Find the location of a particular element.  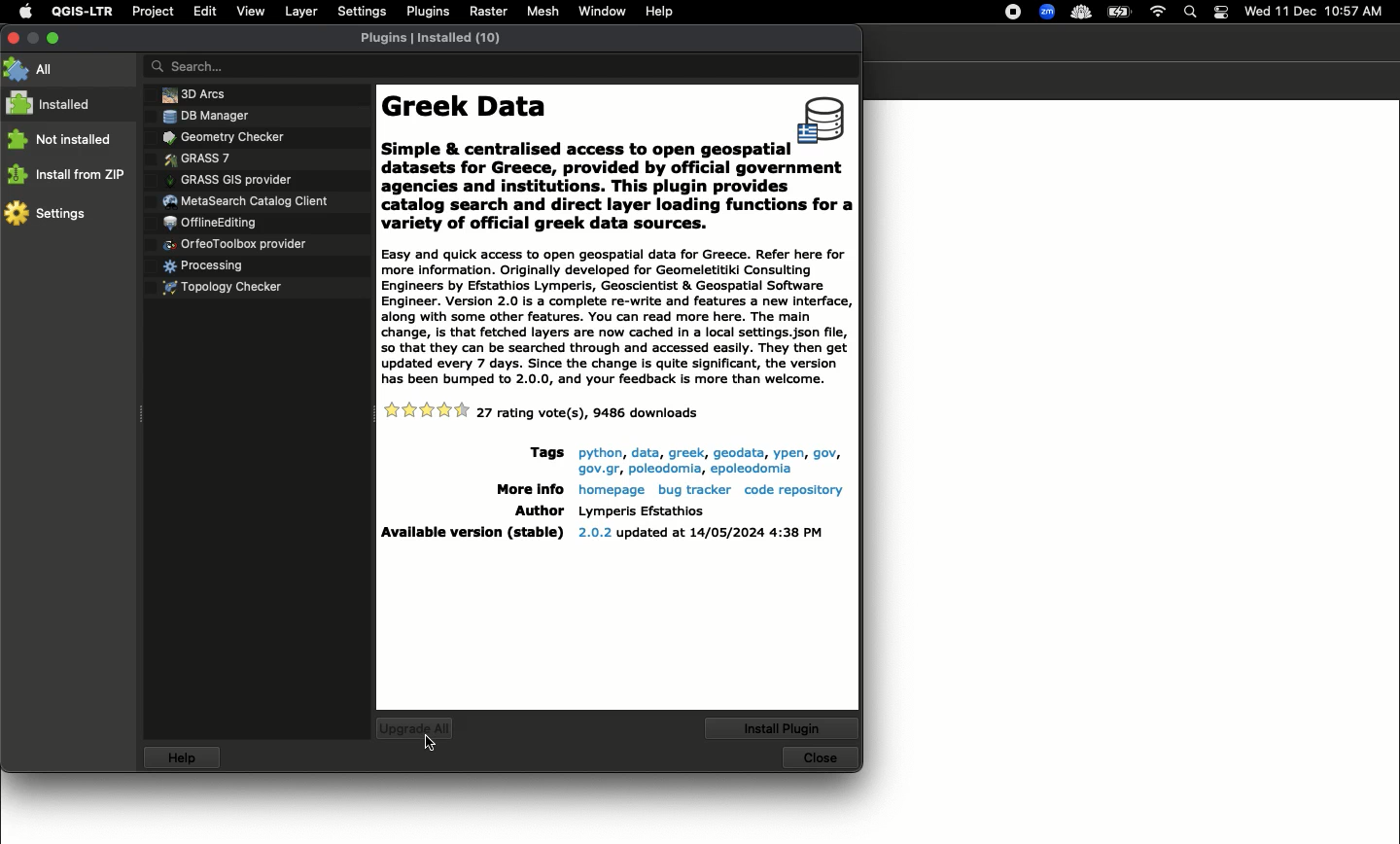

reek is located at coordinates (685, 452).